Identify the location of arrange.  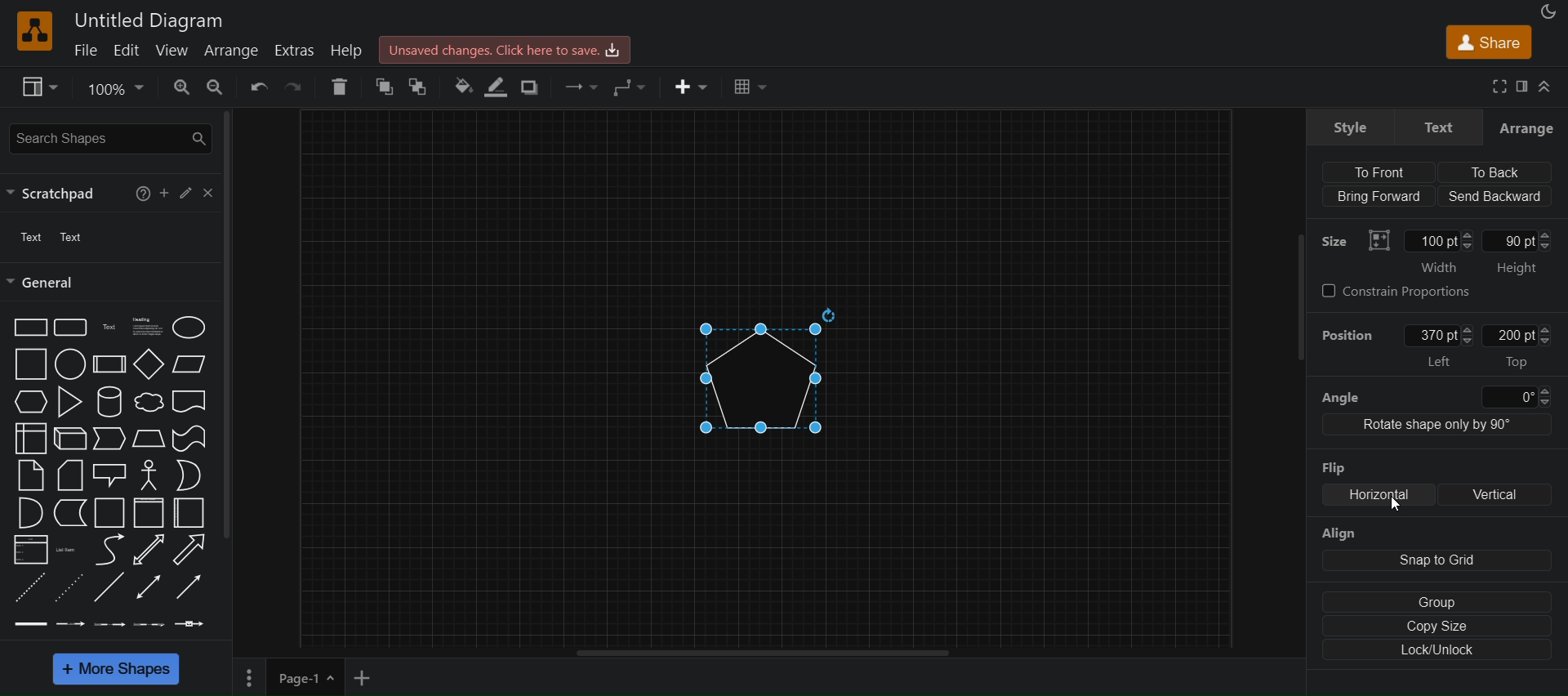
(1526, 127).